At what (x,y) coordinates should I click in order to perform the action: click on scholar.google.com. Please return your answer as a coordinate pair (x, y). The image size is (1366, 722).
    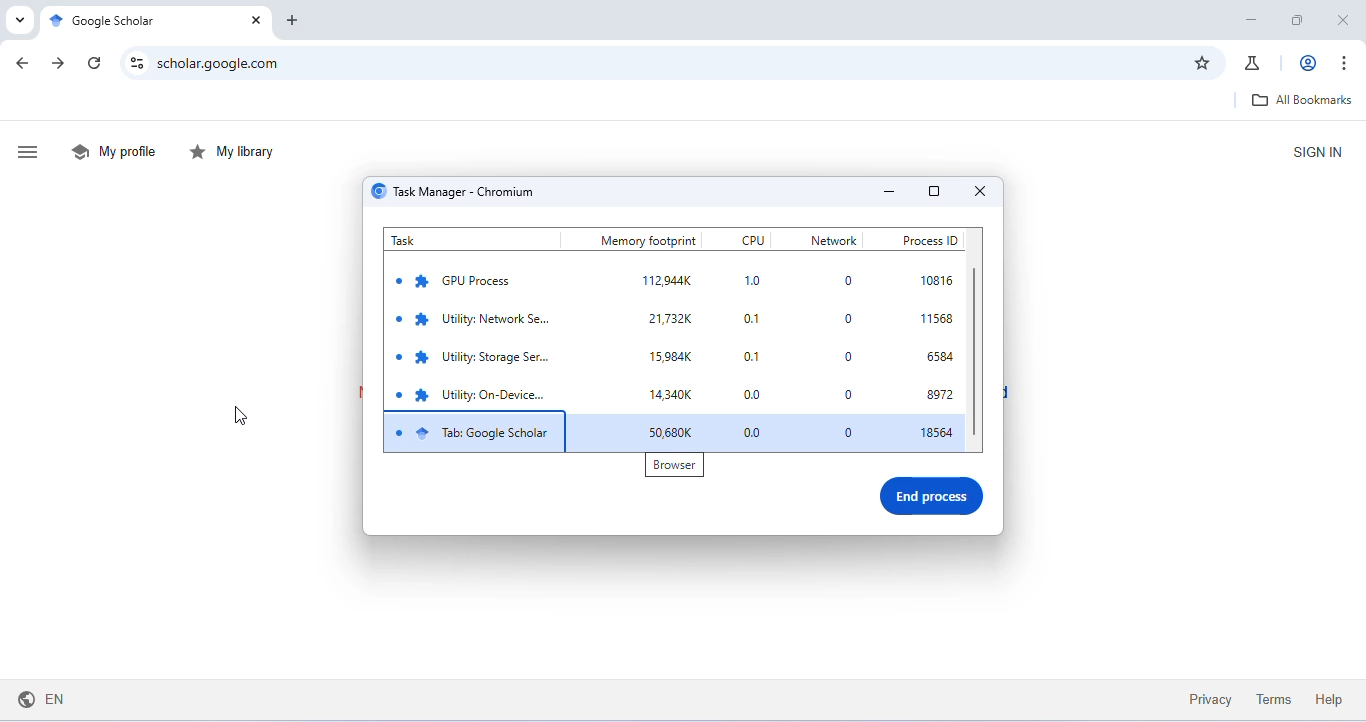
    Looking at the image, I should click on (656, 63).